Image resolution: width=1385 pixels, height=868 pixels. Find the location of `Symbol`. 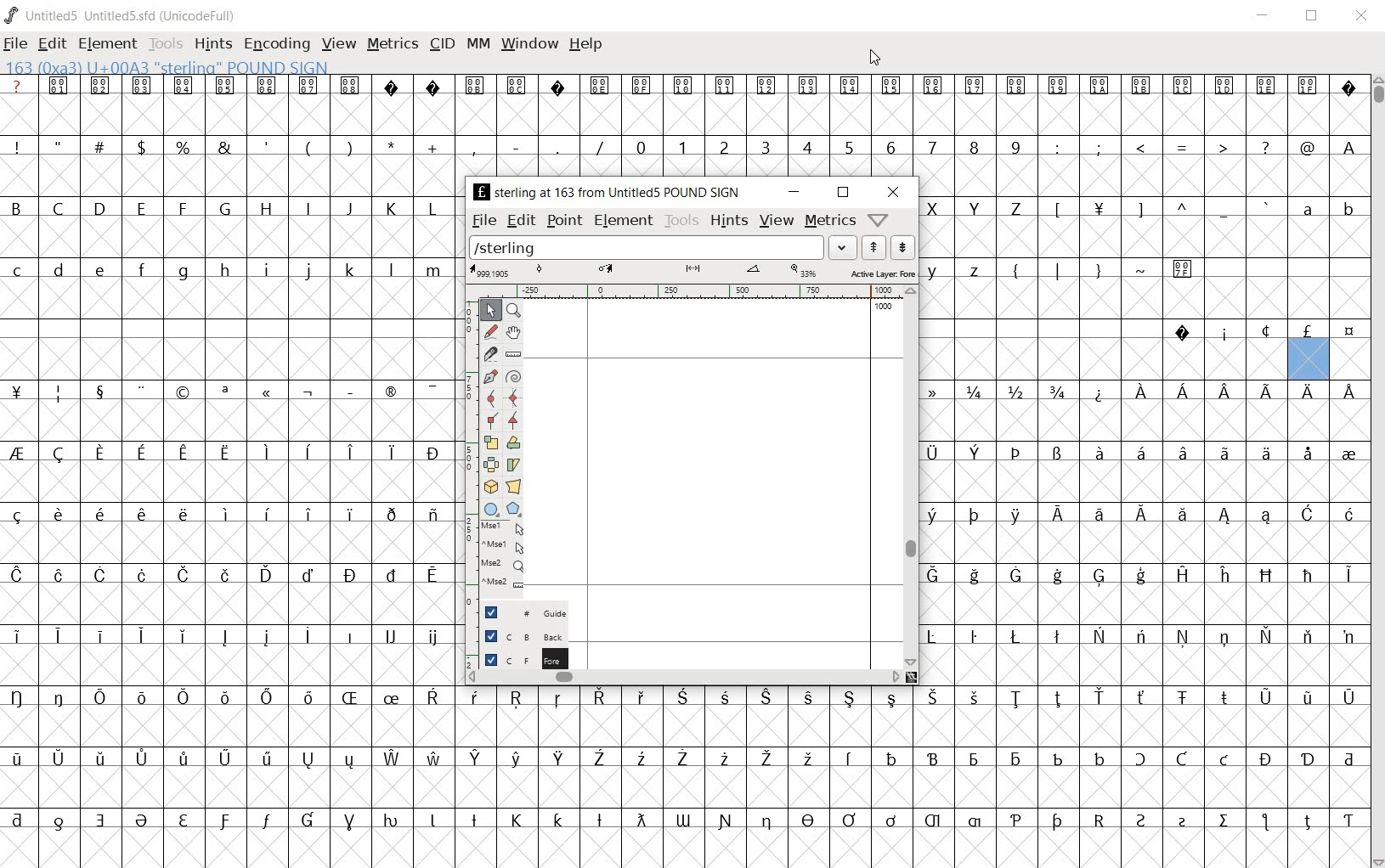

Symbol is located at coordinates (1266, 823).